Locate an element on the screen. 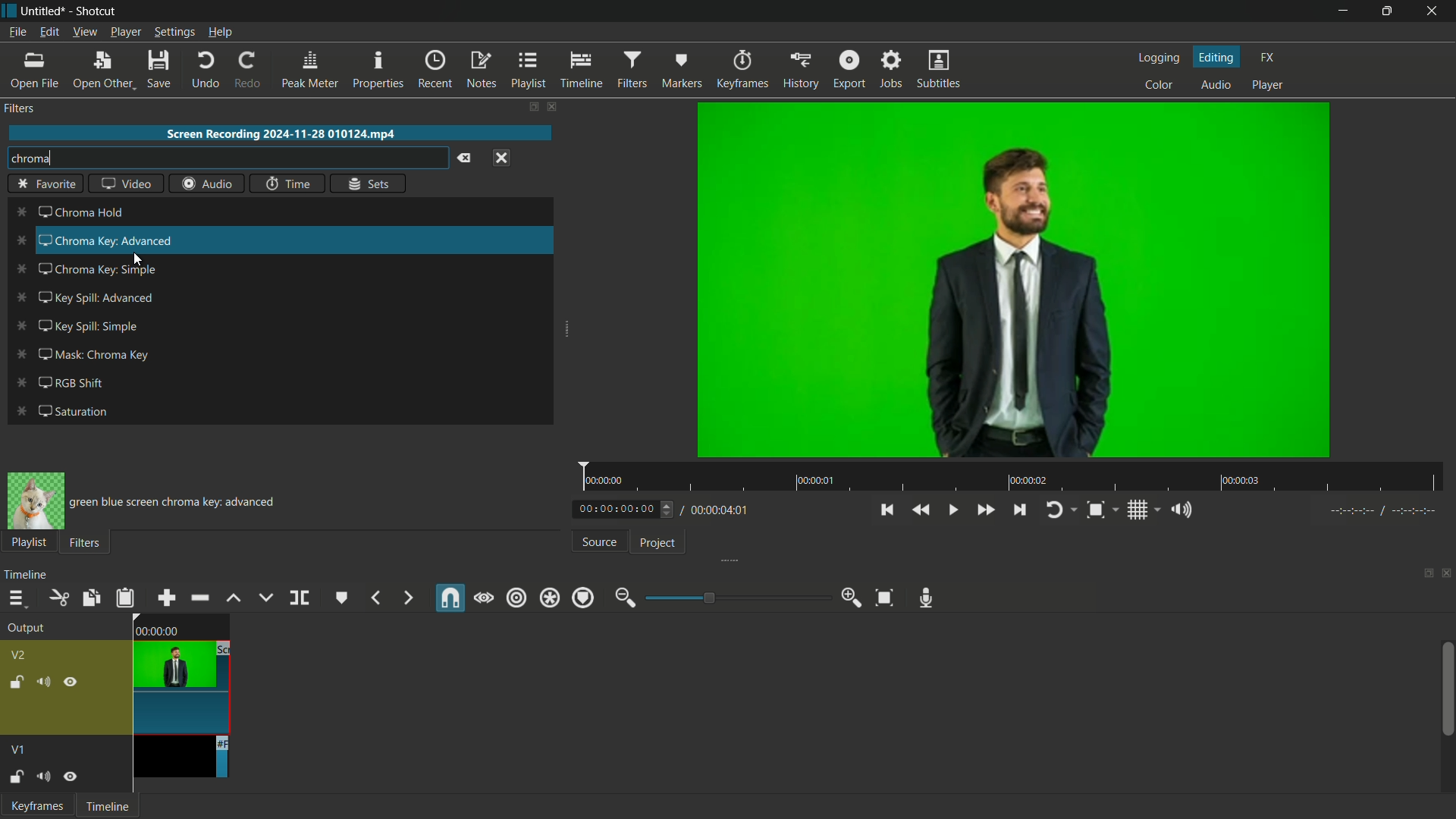 This screenshot has width=1456, height=819. Maximize is located at coordinates (1388, 11).